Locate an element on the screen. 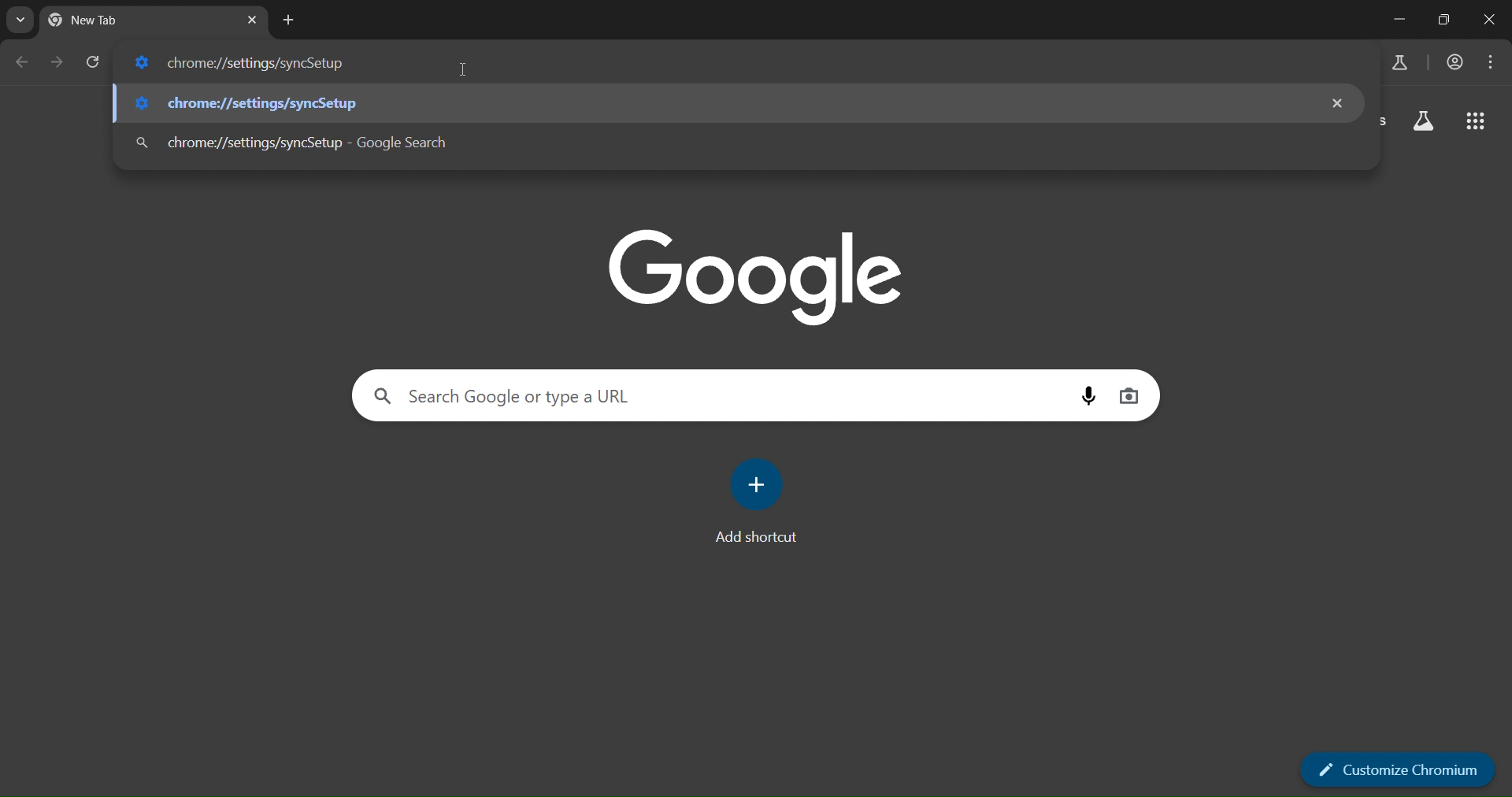 The image size is (1512, 797). search tabs is located at coordinates (20, 20).